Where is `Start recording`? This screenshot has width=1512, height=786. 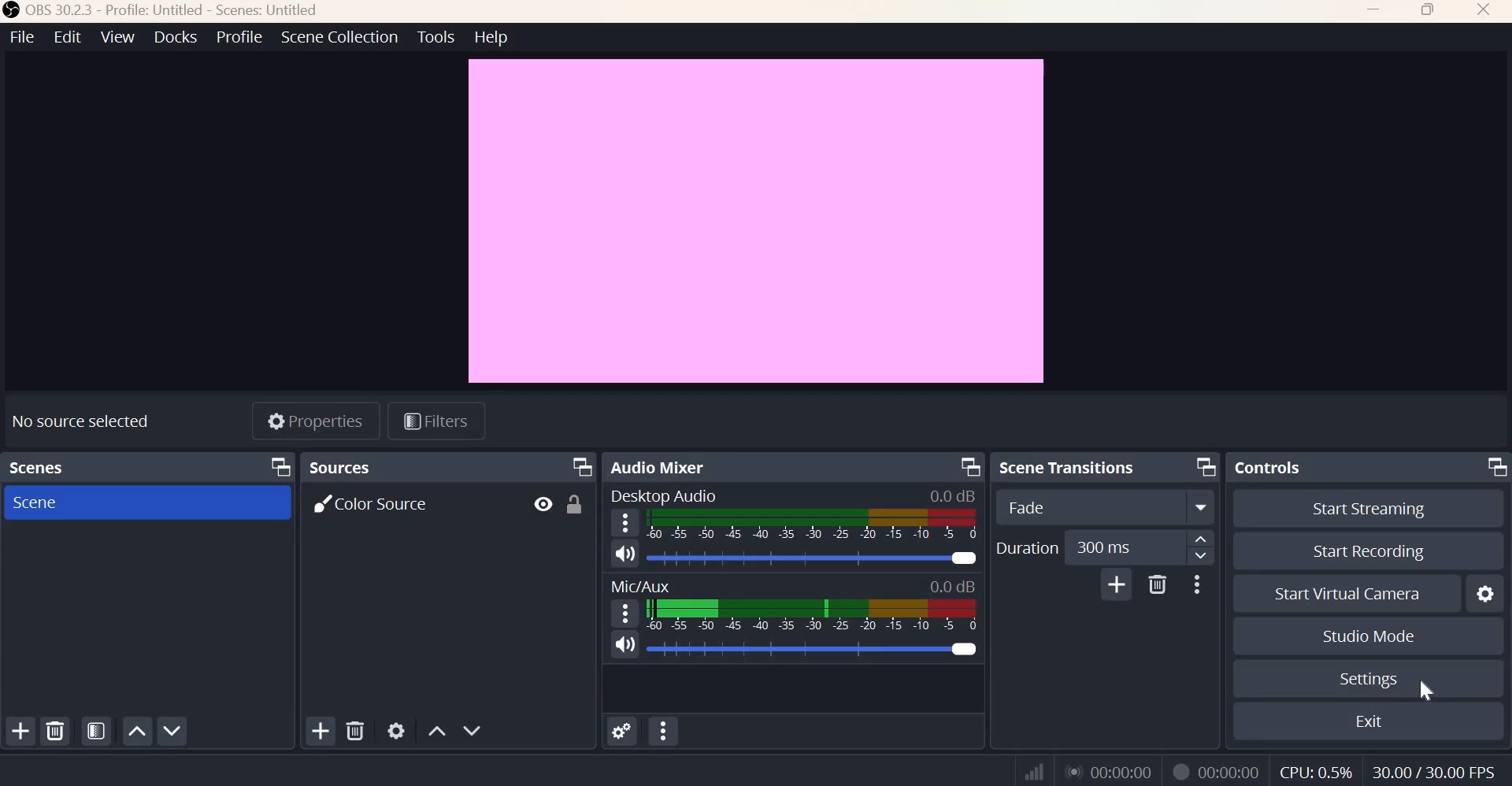
Start recording is located at coordinates (1369, 550).